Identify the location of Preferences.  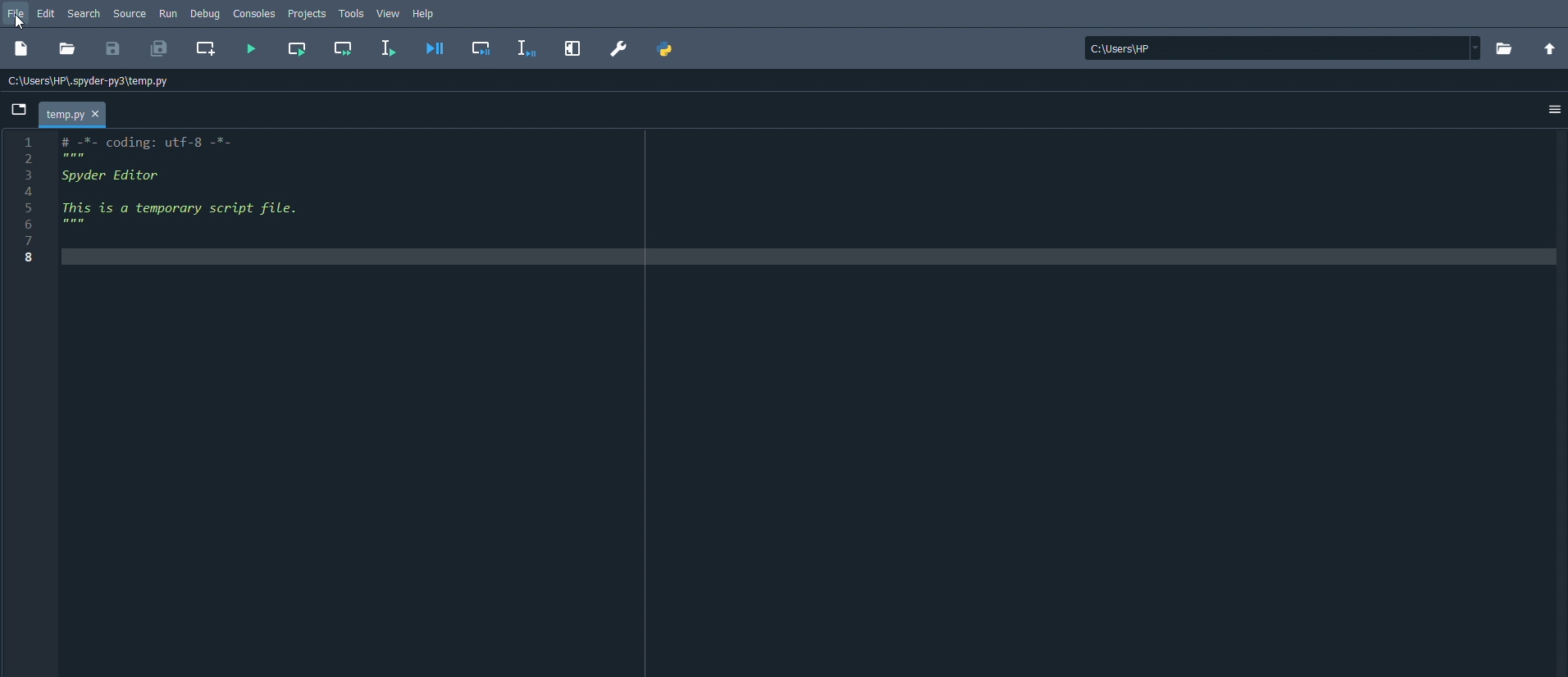
(619, 48).